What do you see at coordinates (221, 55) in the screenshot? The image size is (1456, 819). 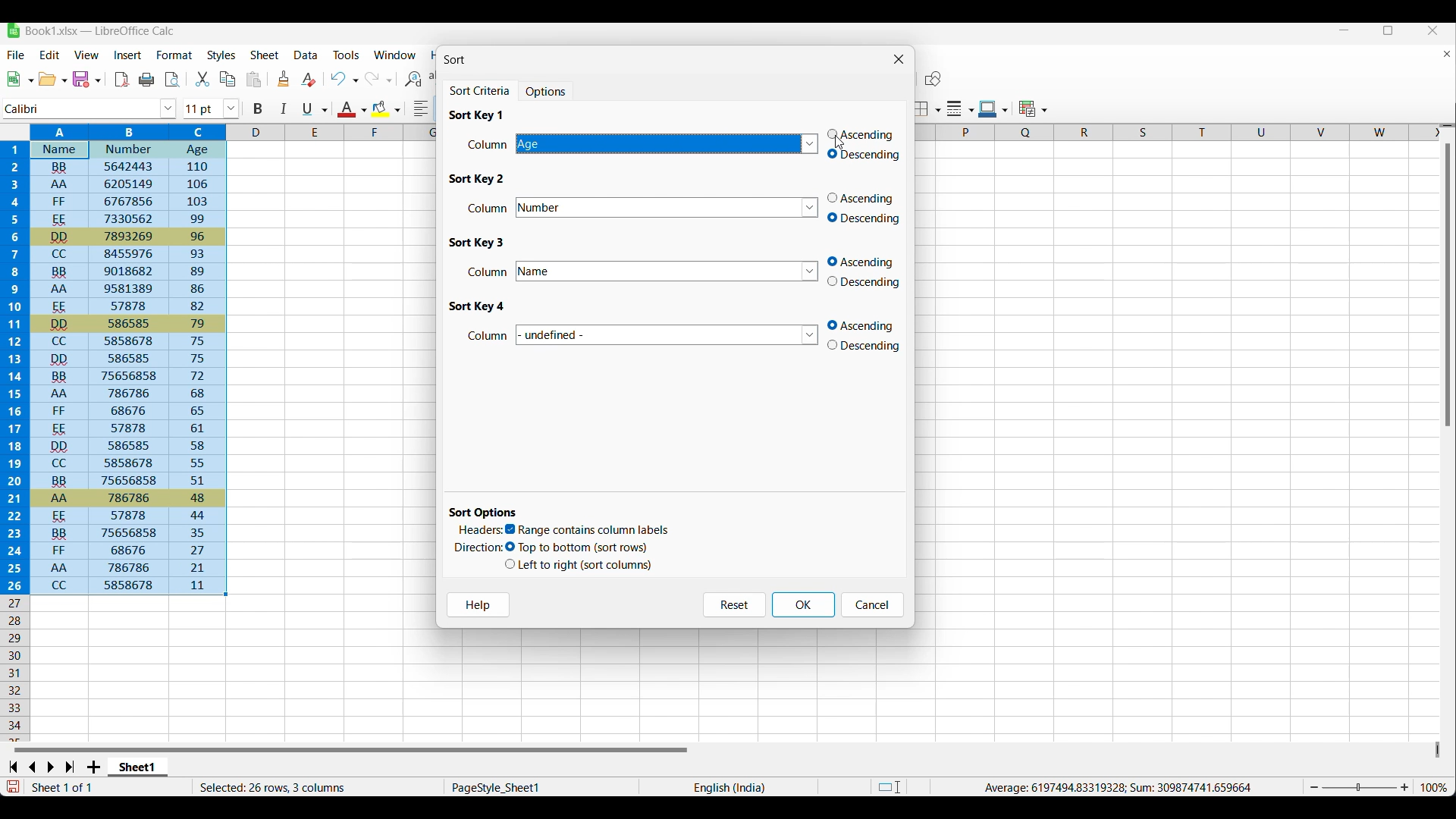 I see `Styles menu` at bounding box center [221, 55].